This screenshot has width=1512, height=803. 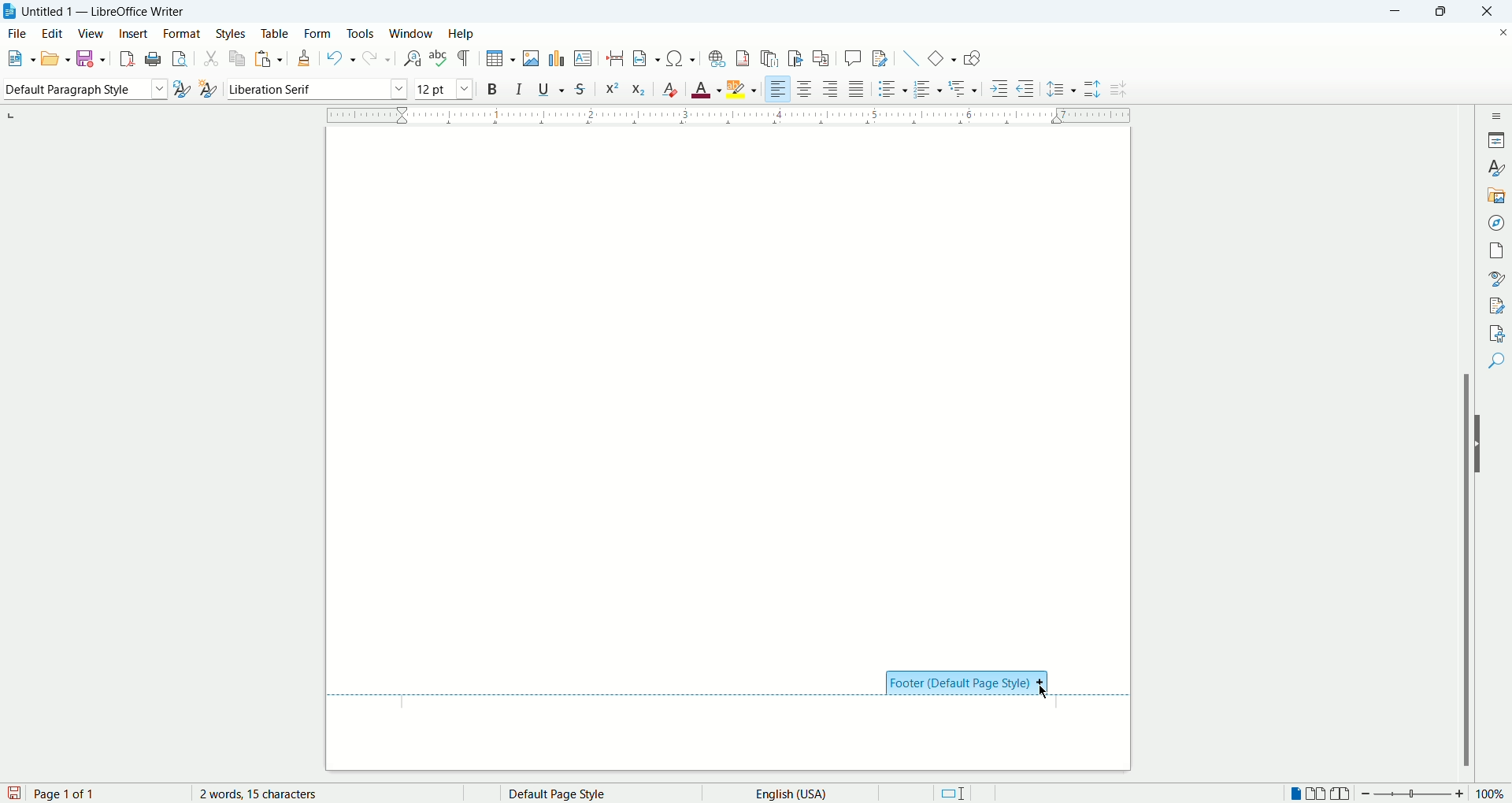 I want to click on text color, so click(x=708, y=89).